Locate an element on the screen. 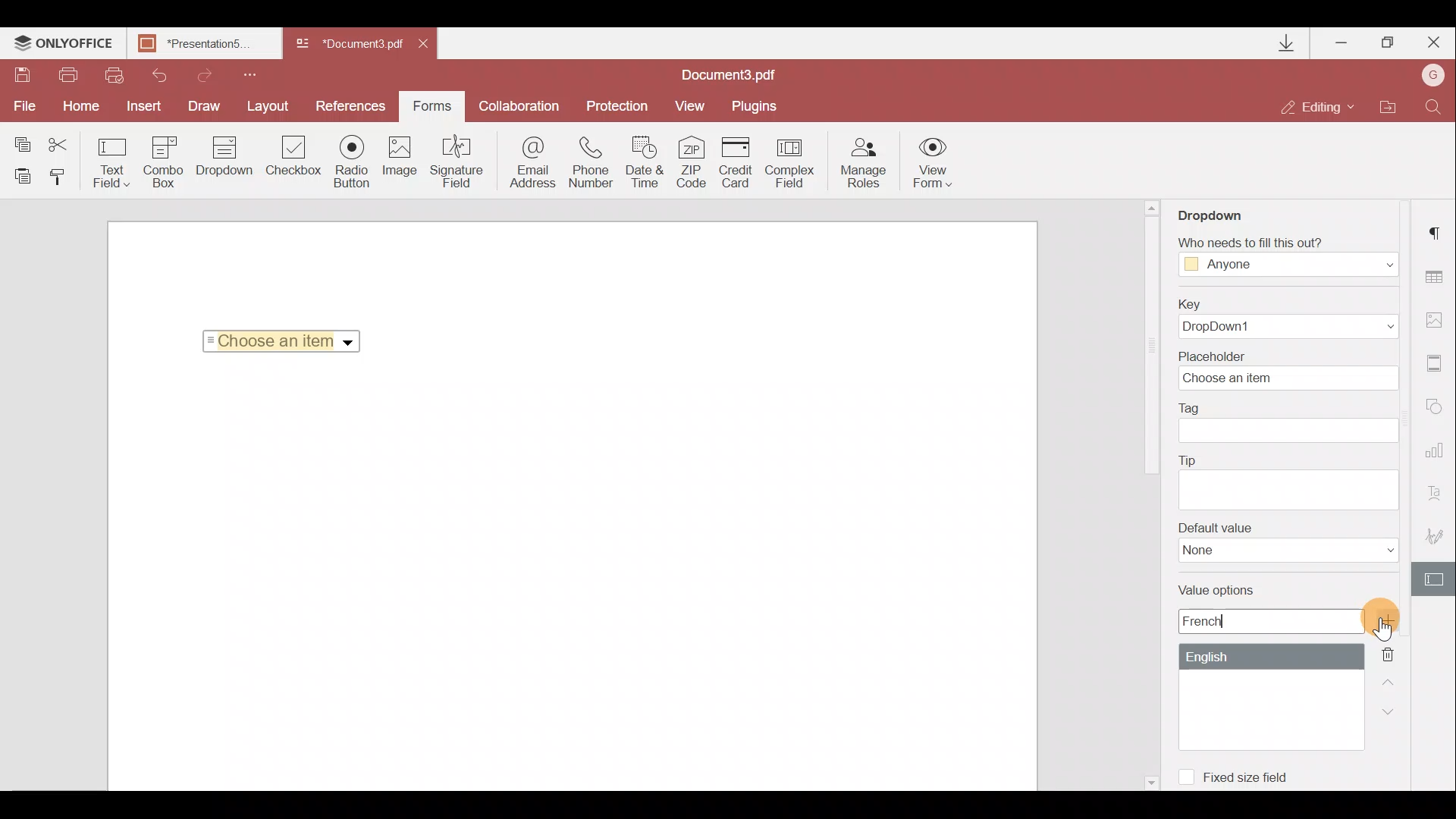 This screenshot has height=819, width=1456. View form is located at coordinates (934, 162).